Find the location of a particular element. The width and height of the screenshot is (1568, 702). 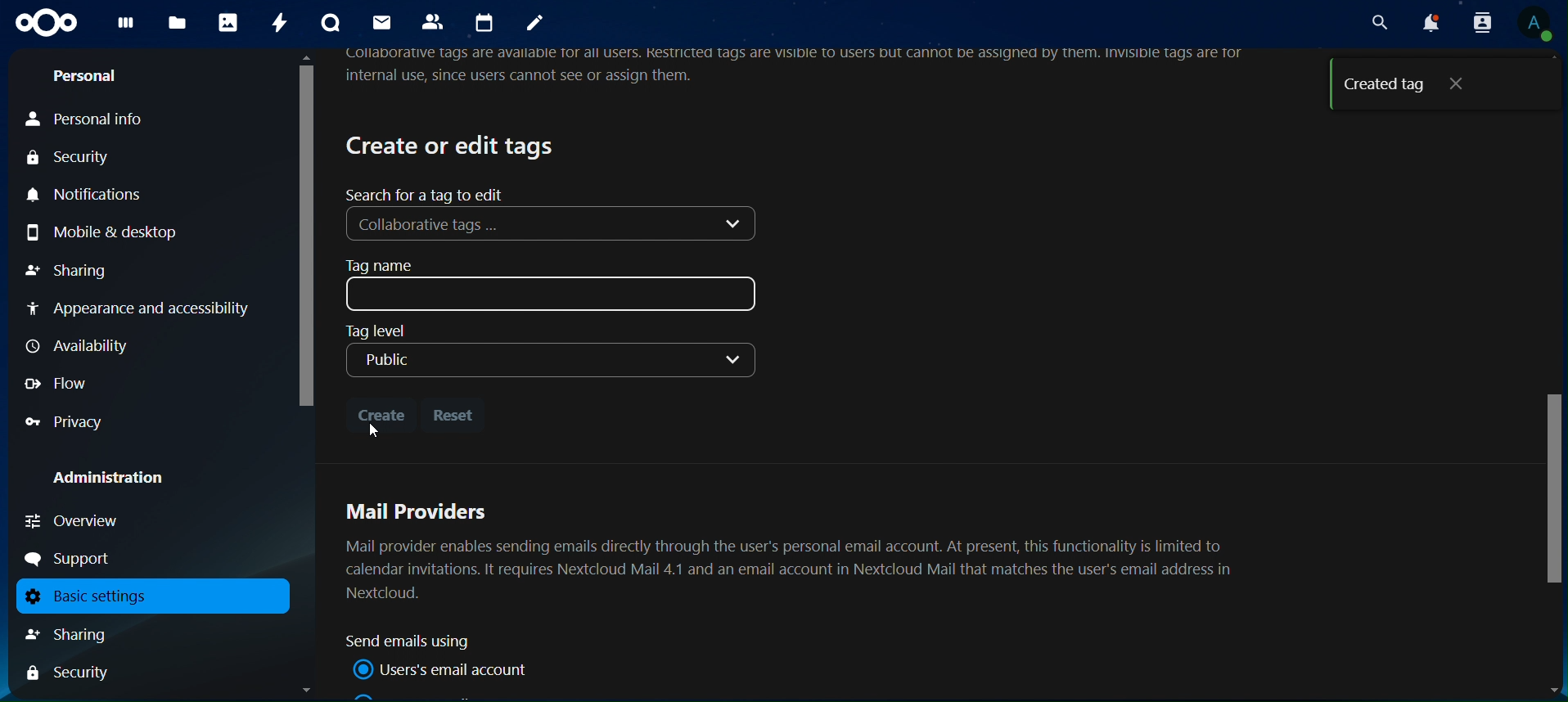

View Profile is located at coordinates (1537, 25).